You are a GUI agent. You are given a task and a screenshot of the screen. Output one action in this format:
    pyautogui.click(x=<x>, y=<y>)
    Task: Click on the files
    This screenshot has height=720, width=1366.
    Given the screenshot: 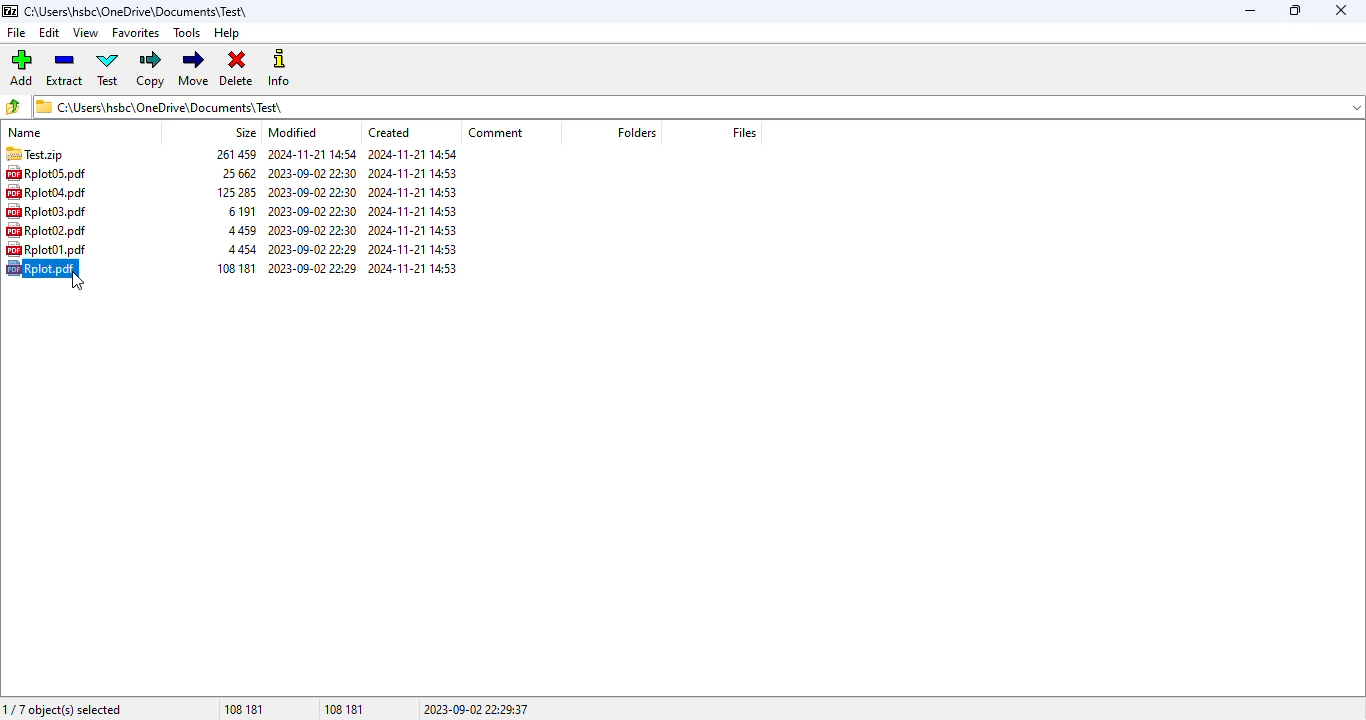 What is the action you would take?
    pyautogui.click(x=744, y=132)
    